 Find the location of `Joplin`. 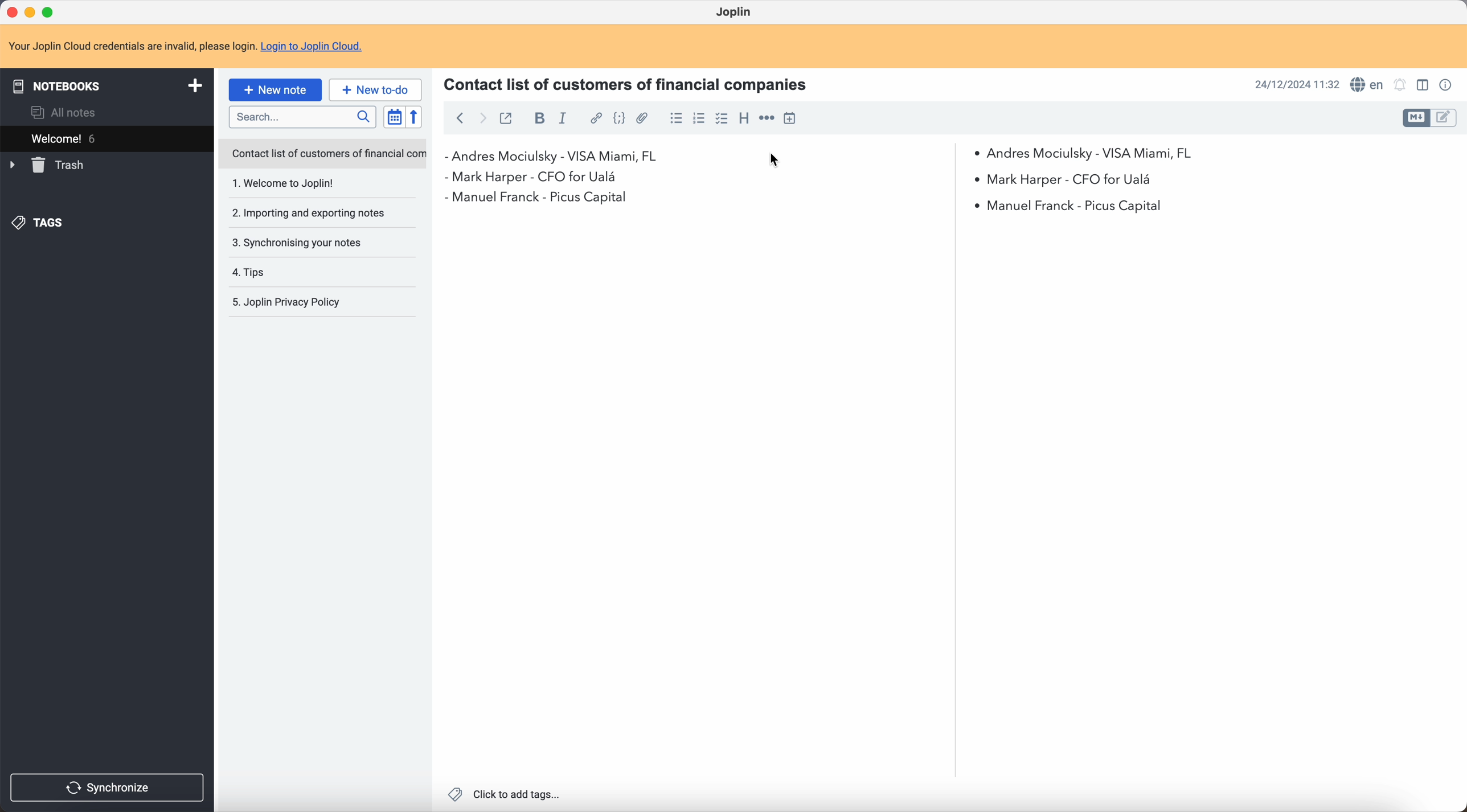

Joplin is located at coordinates (733, 11).